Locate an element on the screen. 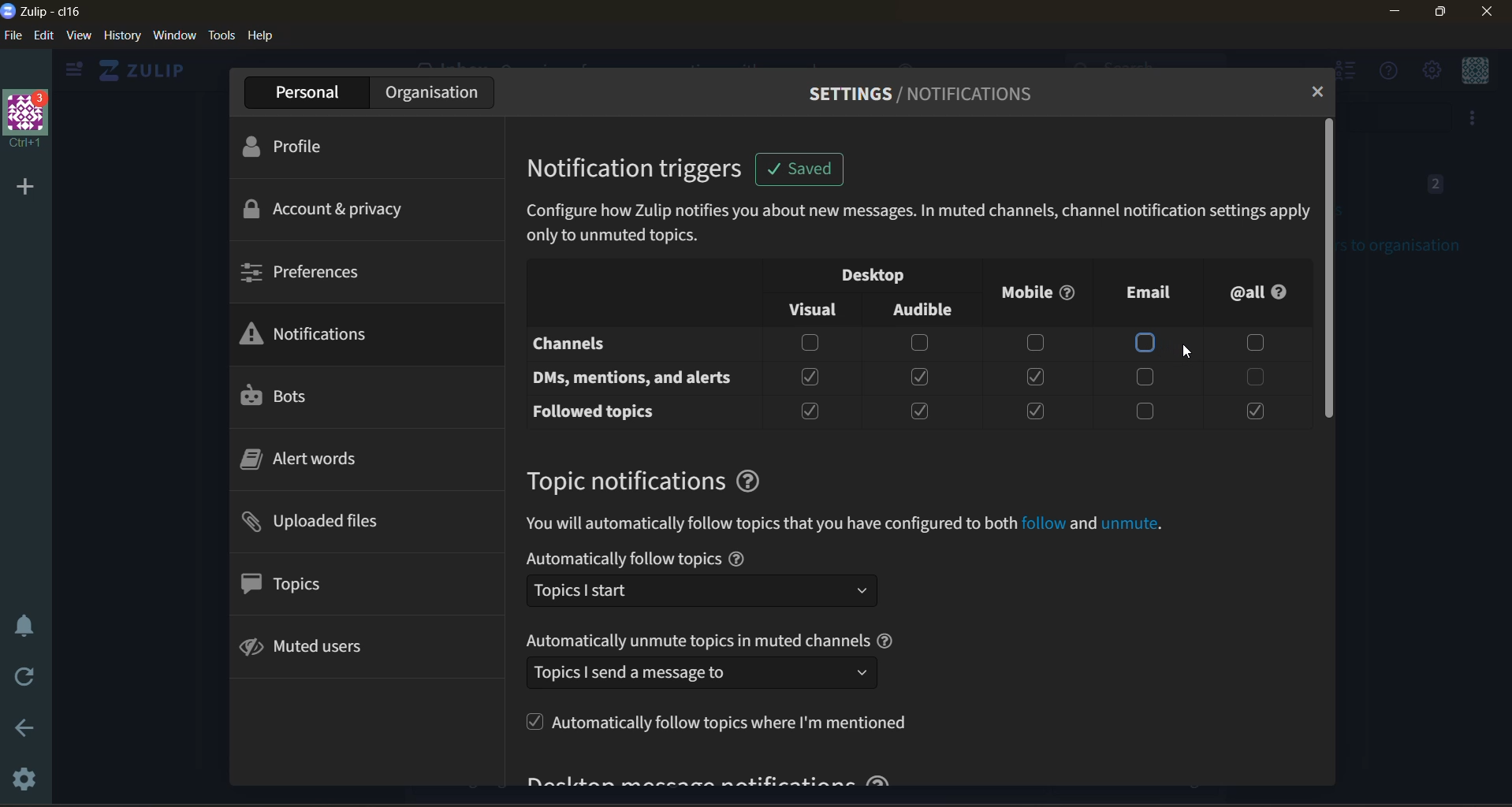 The height and width of the screenshot is (807, 1512). muted users is located at coordinates (323, 647).